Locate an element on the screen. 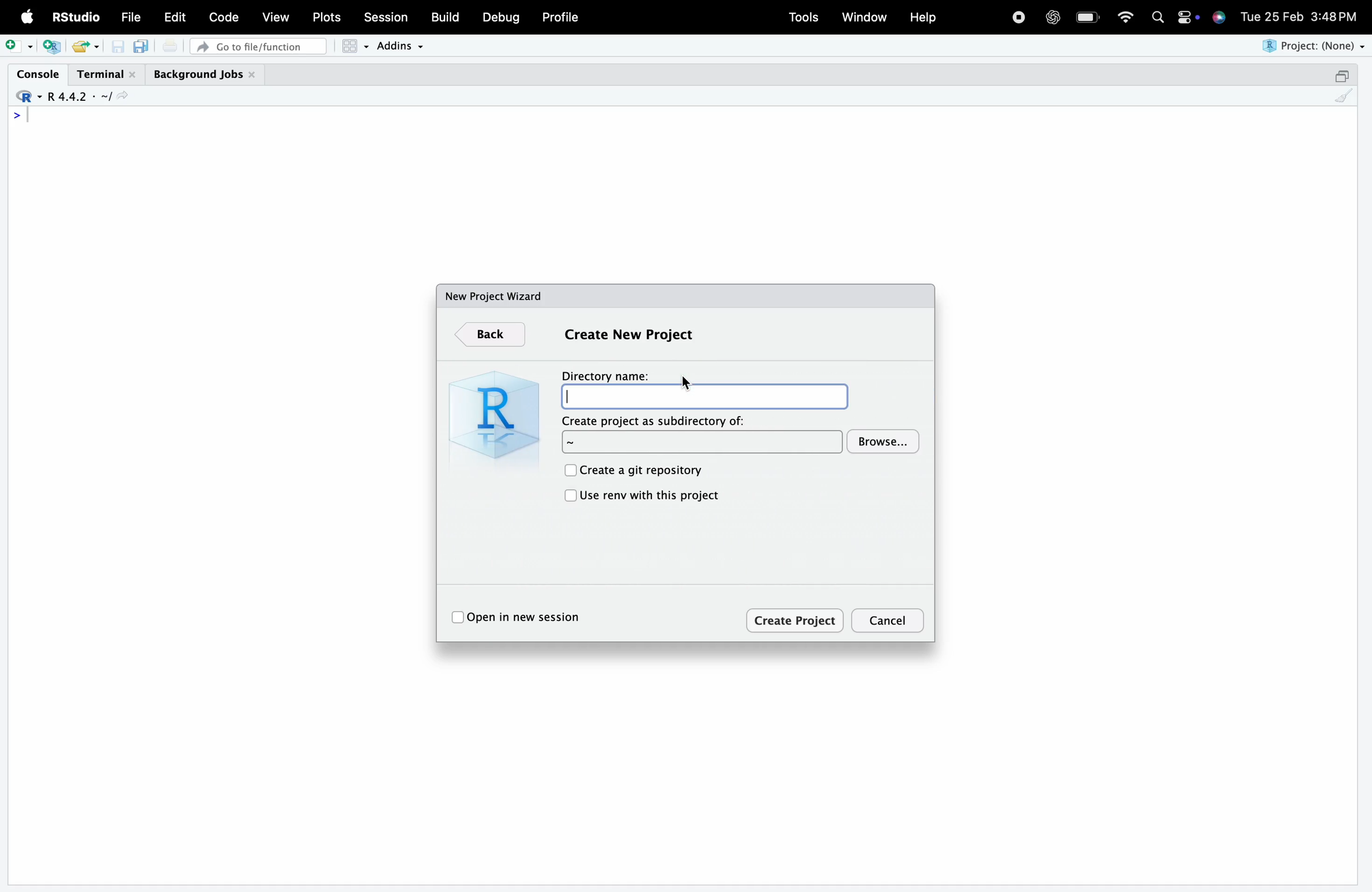  maximize is located at coordinates (1341, 75).